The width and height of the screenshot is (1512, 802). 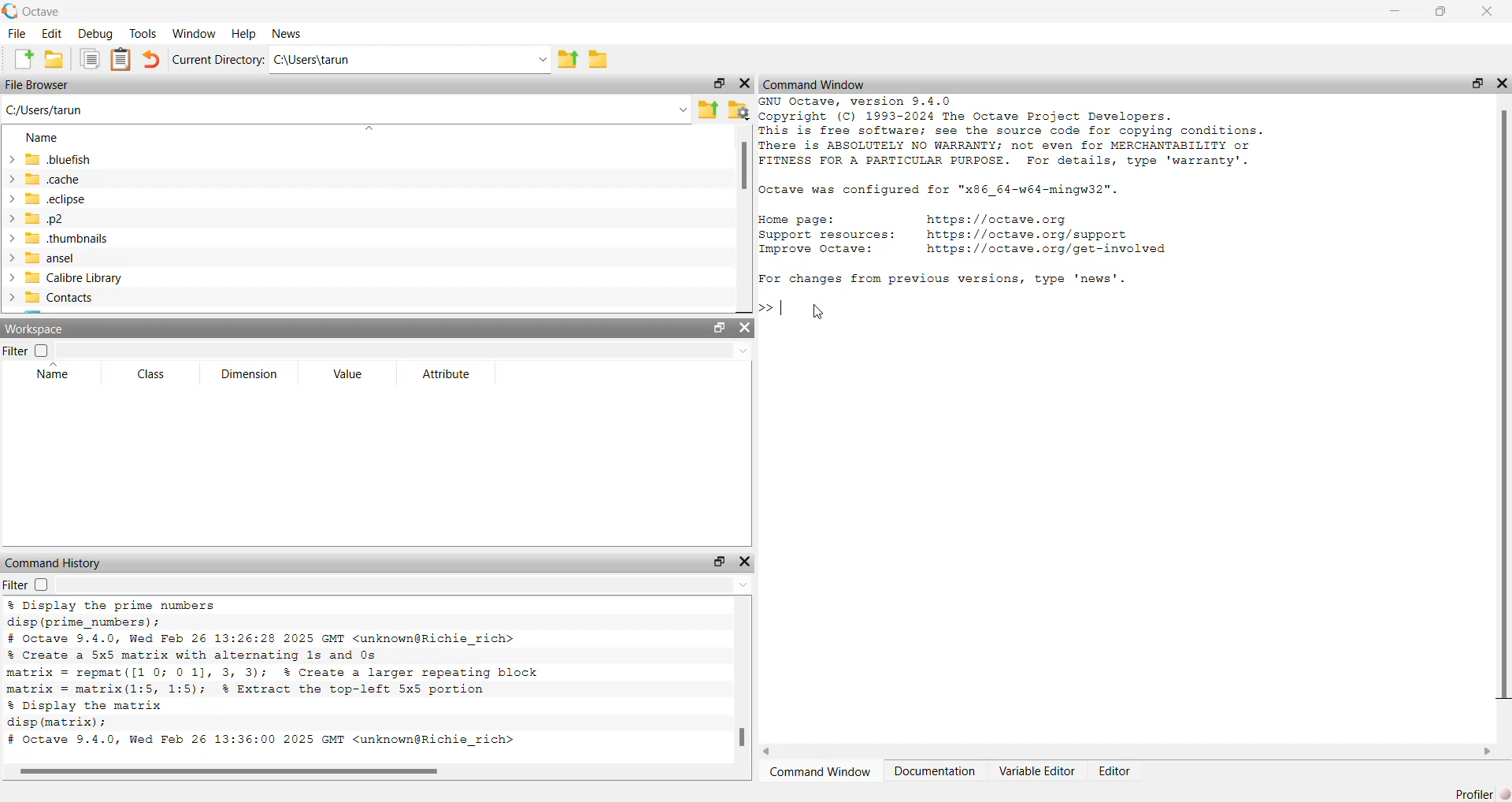 I want to click on For changes from previous versions, type 'news'., so click(x=954, y=279).